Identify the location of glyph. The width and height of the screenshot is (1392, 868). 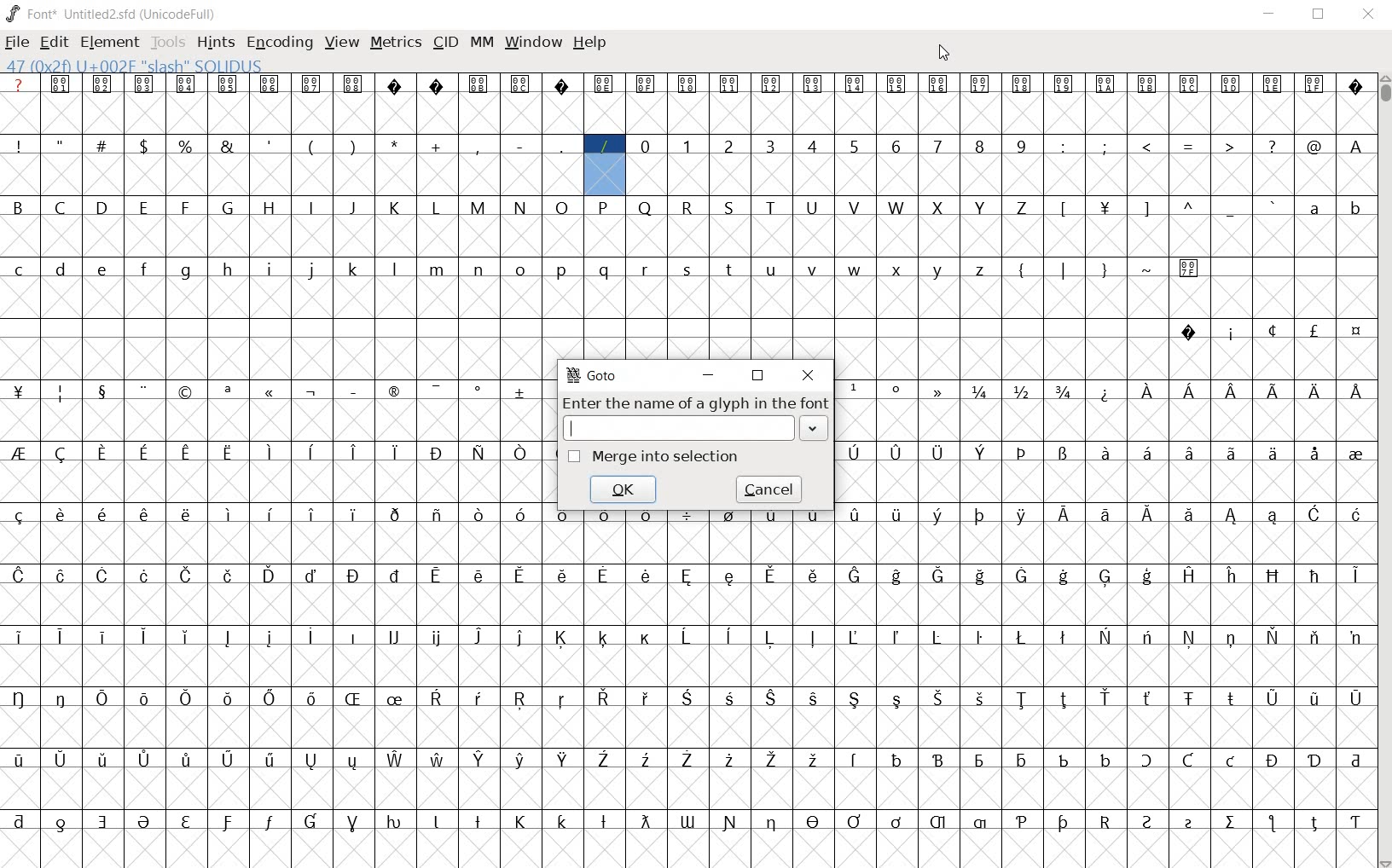
(270, 208).